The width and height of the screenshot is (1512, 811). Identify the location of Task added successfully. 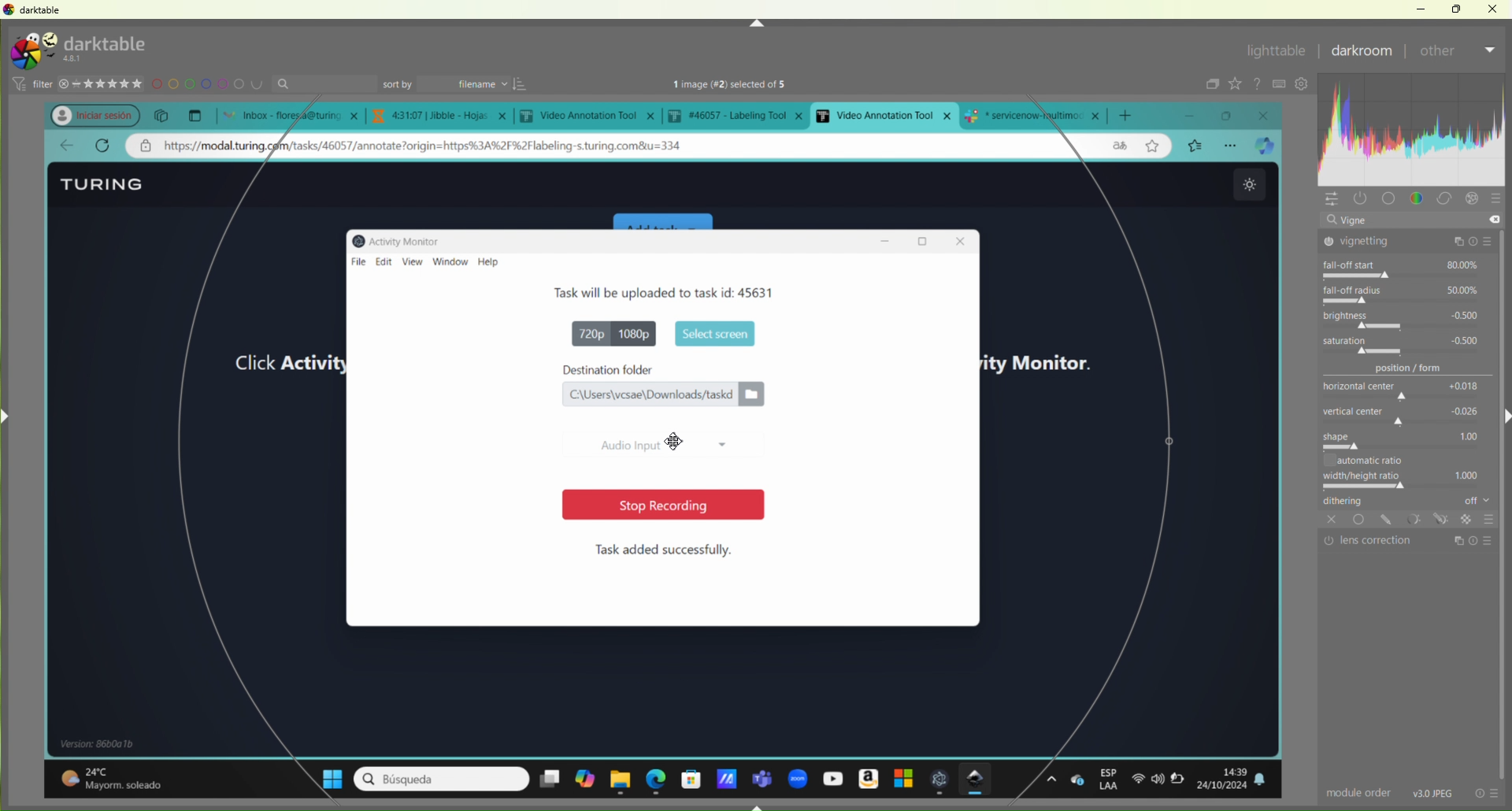
(665, 550).